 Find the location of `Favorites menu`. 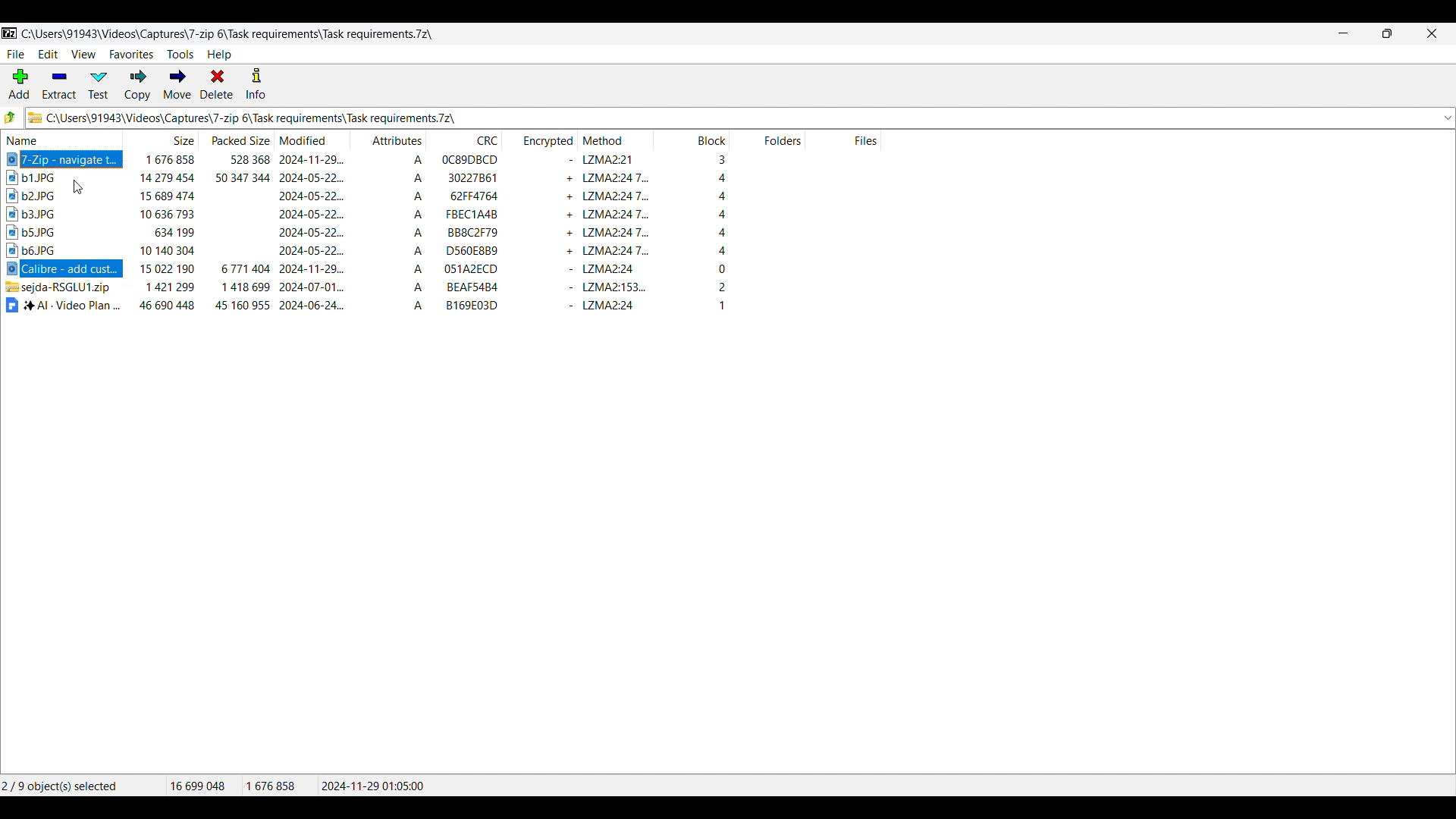

Favorites menu is located at coordinates (131, 55).